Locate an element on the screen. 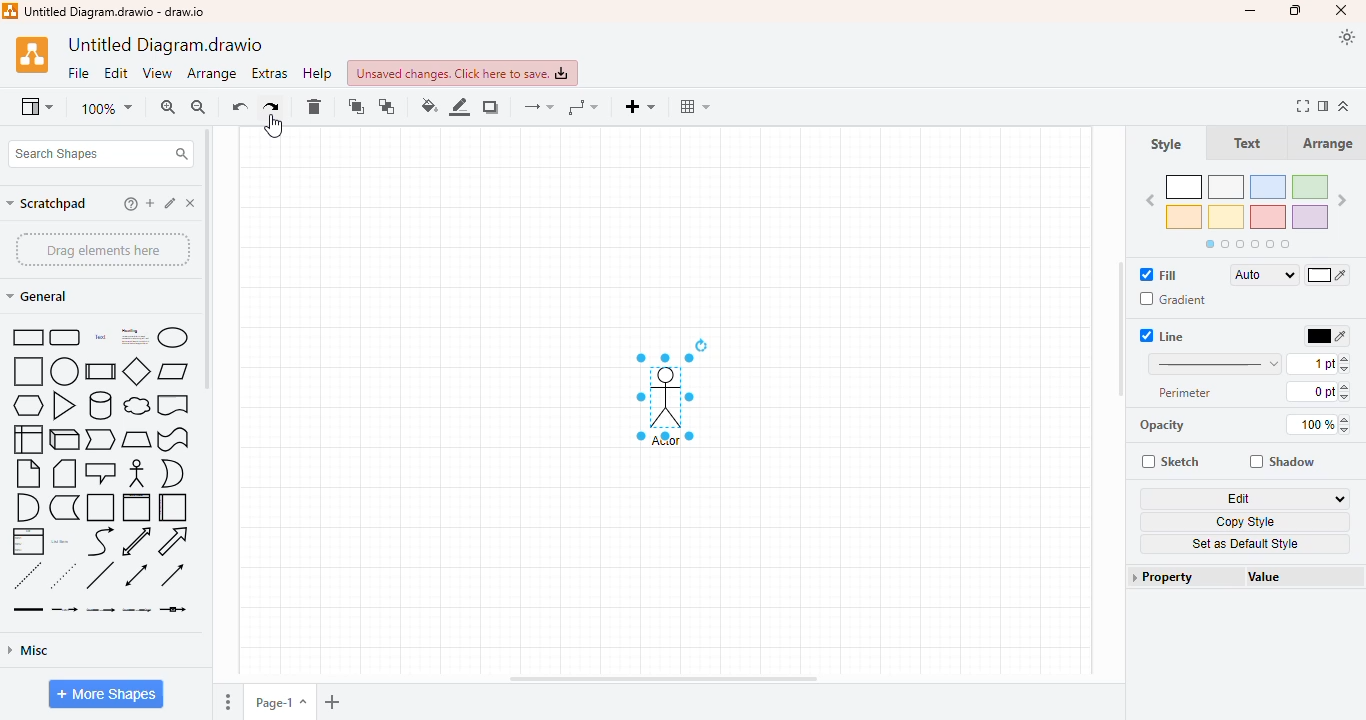 Image resolution: width=1366 pixels, height=720 pixels. edit is located at coordinates (117, 74).